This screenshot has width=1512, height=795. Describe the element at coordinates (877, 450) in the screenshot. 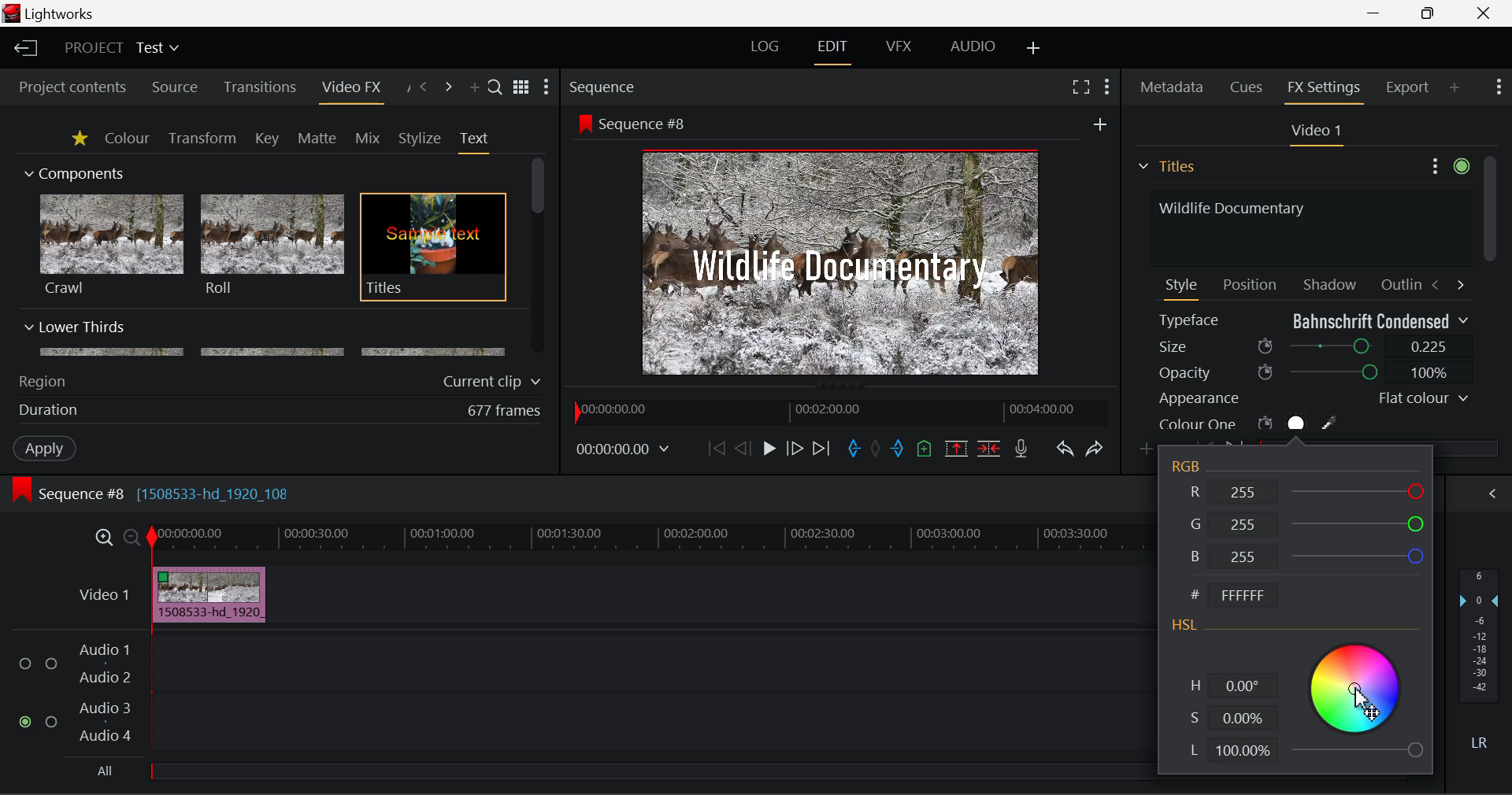

I see `Remove all marks` at that location.